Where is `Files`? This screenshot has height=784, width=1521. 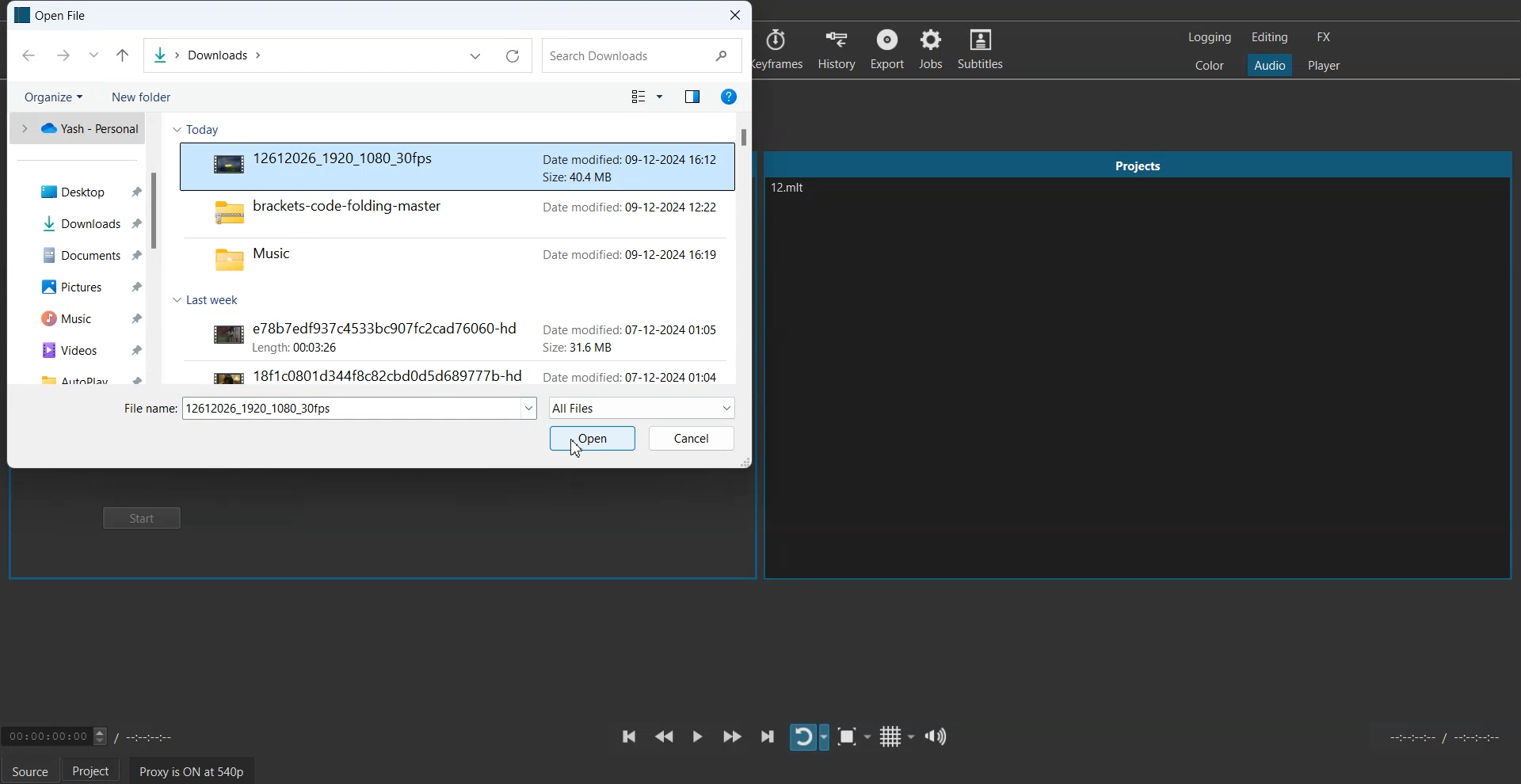
Files is located at coordinates (79, 376).